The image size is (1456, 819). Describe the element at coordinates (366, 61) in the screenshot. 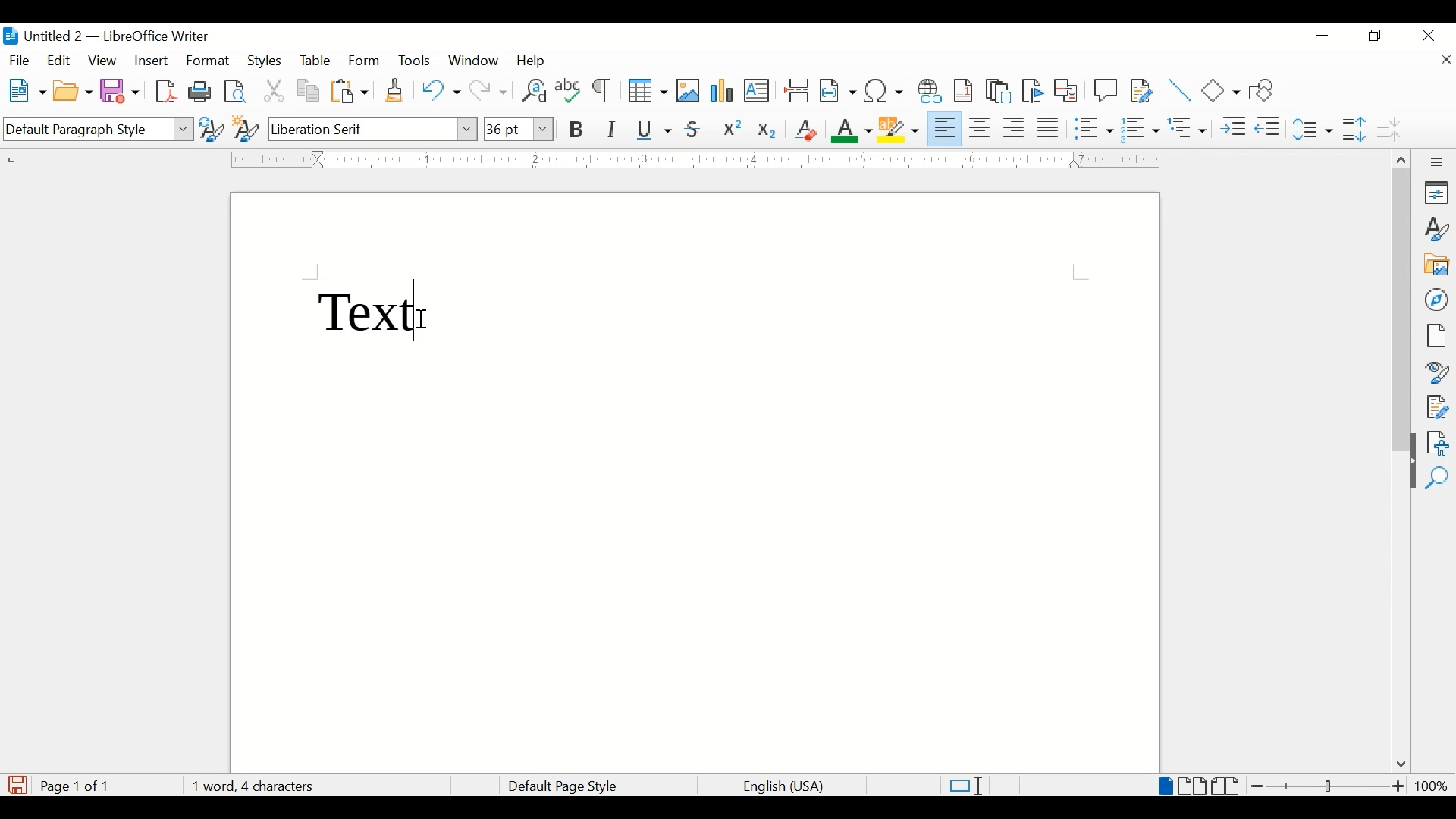

I see `form` at that location.